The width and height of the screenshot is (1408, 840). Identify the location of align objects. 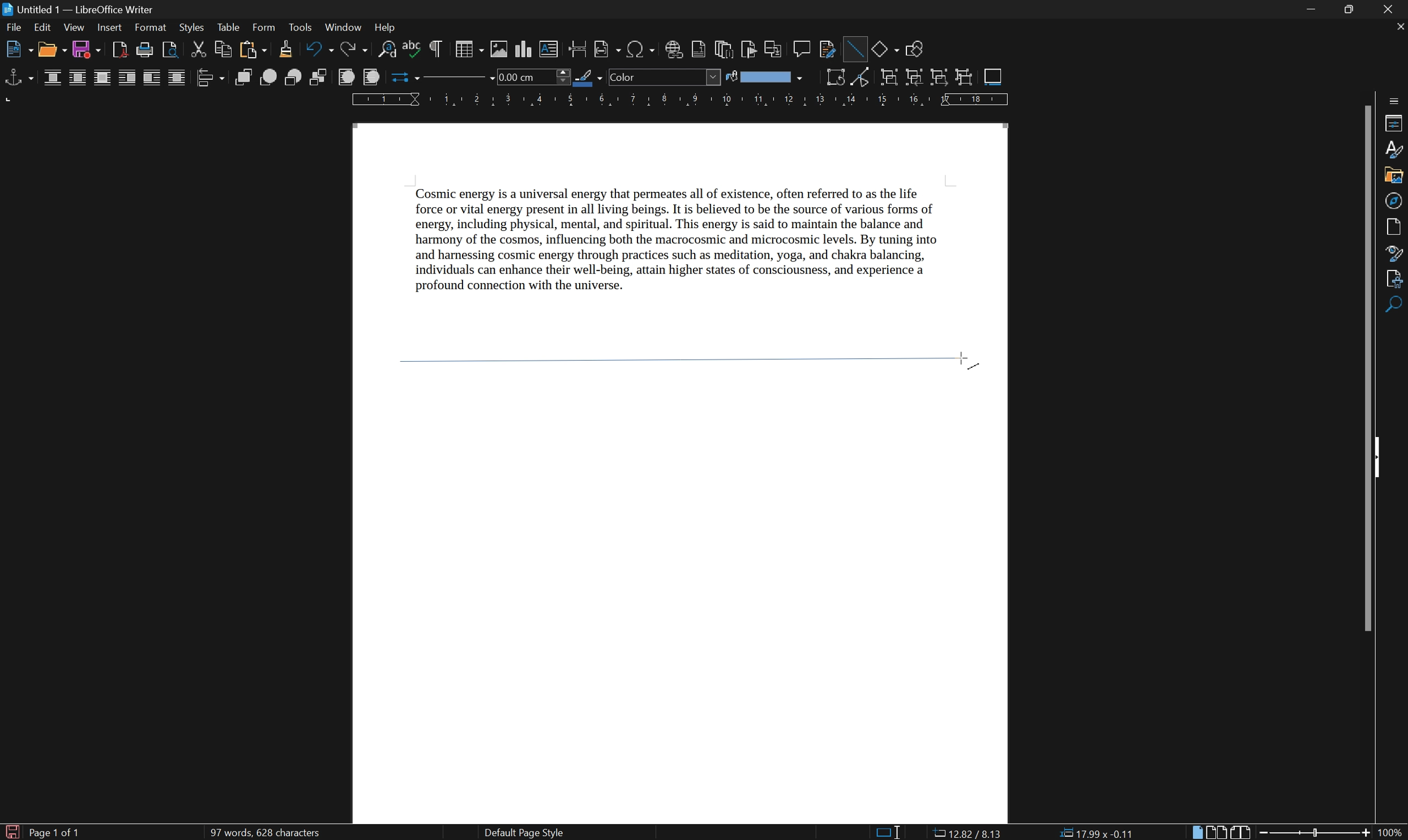
(209, 78).